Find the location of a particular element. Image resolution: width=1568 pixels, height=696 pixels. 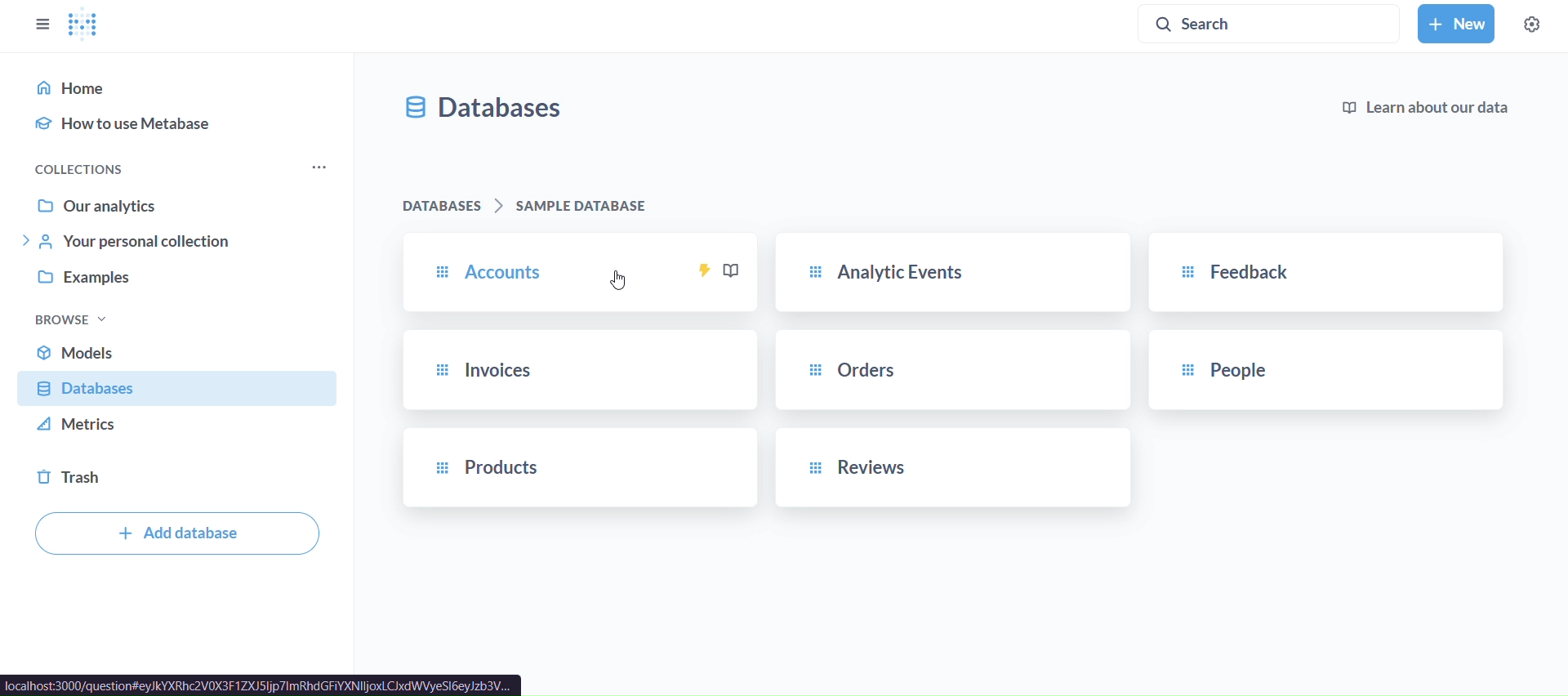

search is located at coordinates (1225, 23).